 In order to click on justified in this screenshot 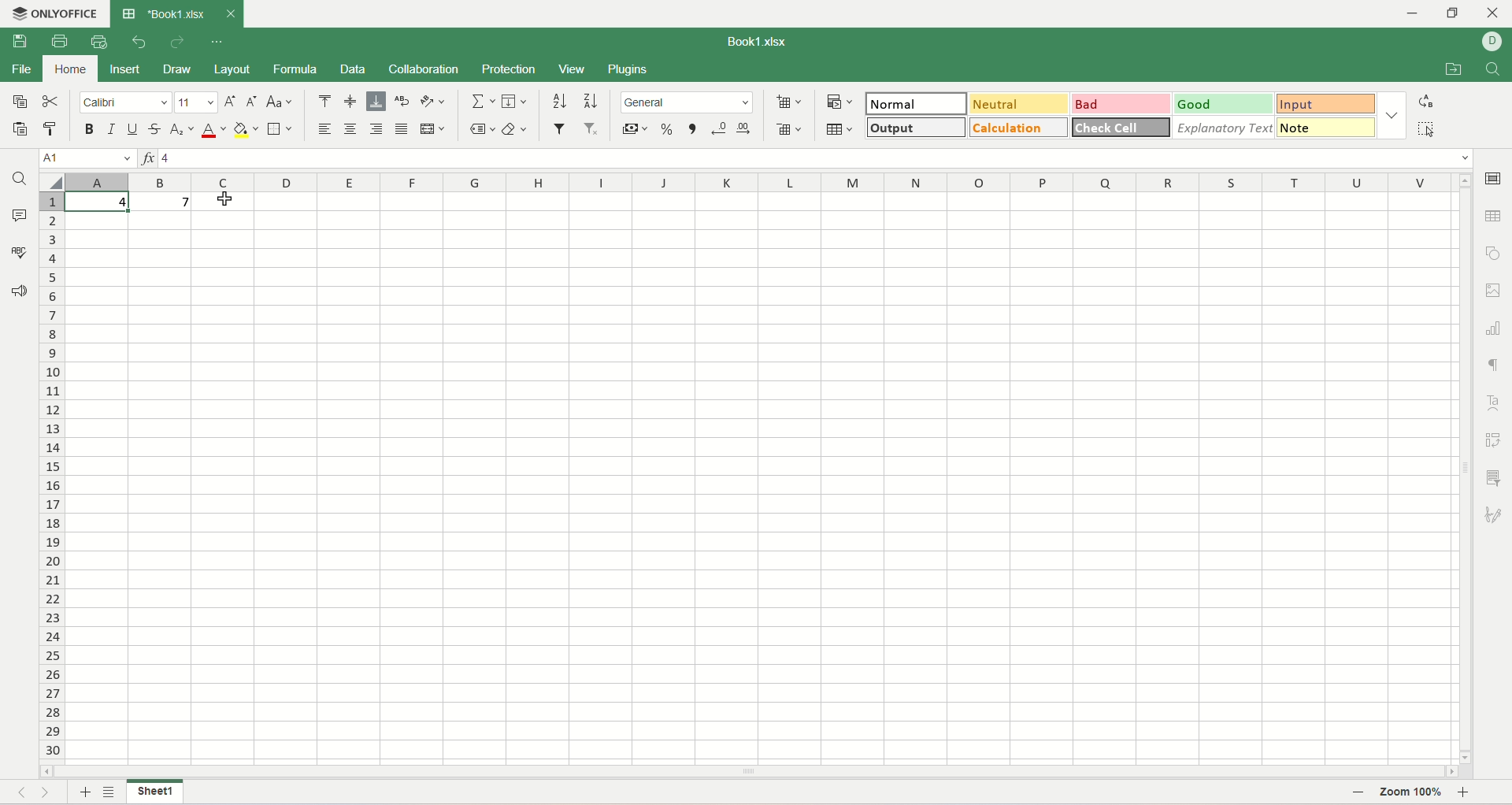, I will do `click(402, 129)`.